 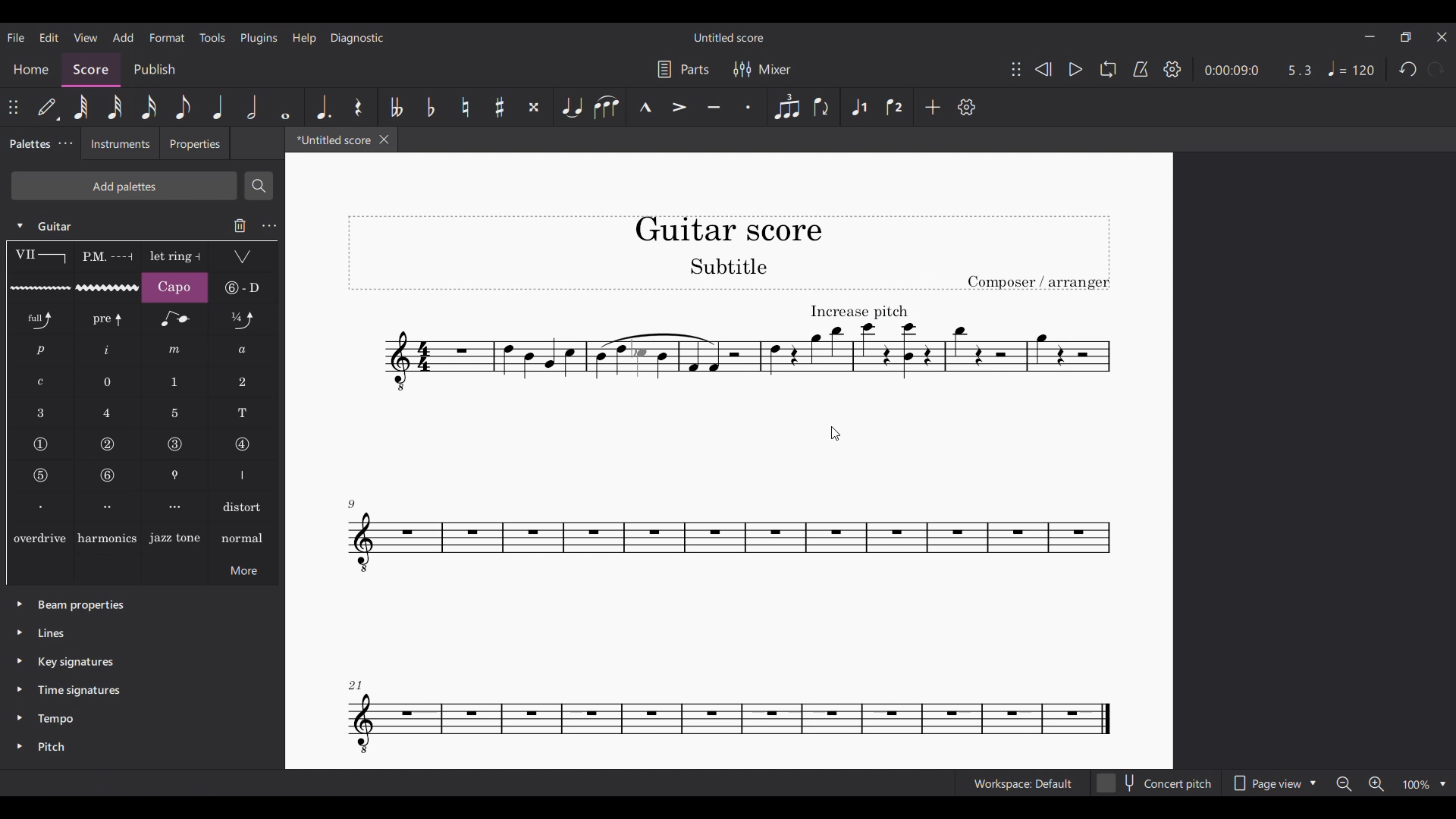 What do you see at coordinates (243, 537) in the screenshot?
I see `normal` at bounding box center [243, 537].